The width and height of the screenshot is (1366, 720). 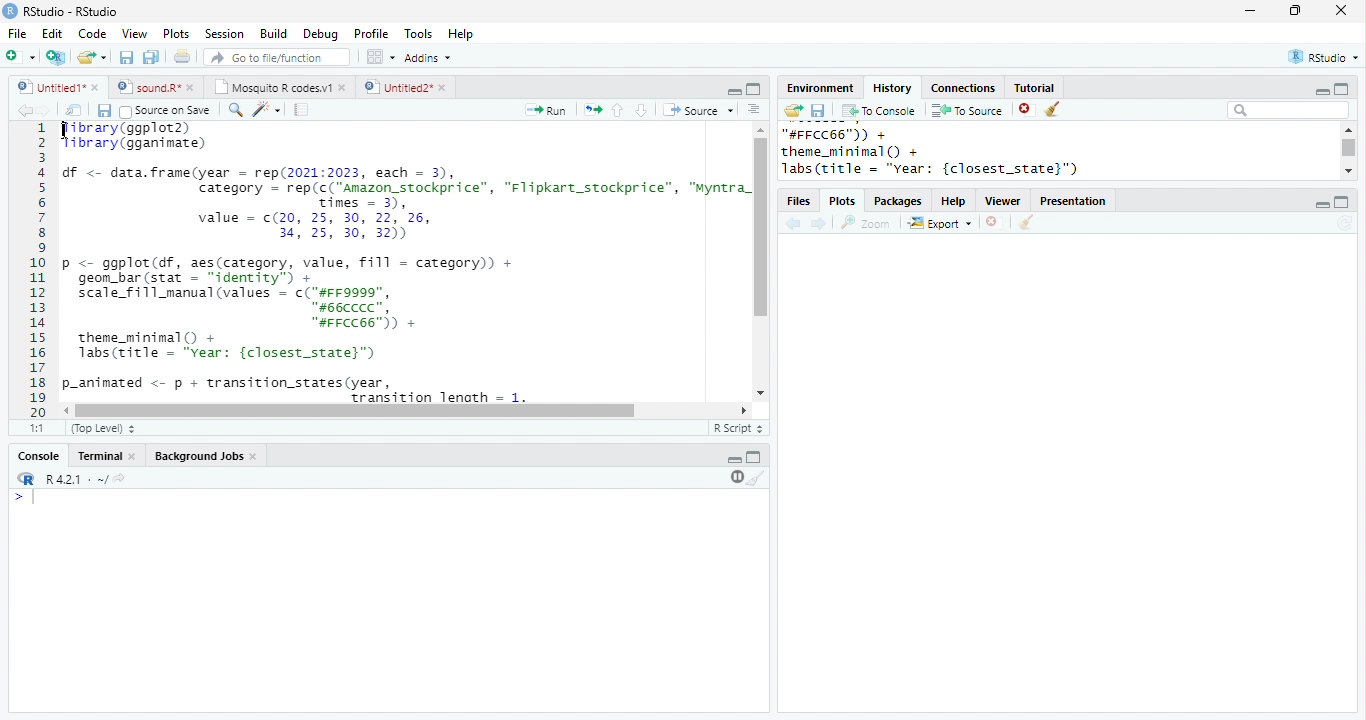 I want to click on Tutorial, so click(x=1035, y=88).